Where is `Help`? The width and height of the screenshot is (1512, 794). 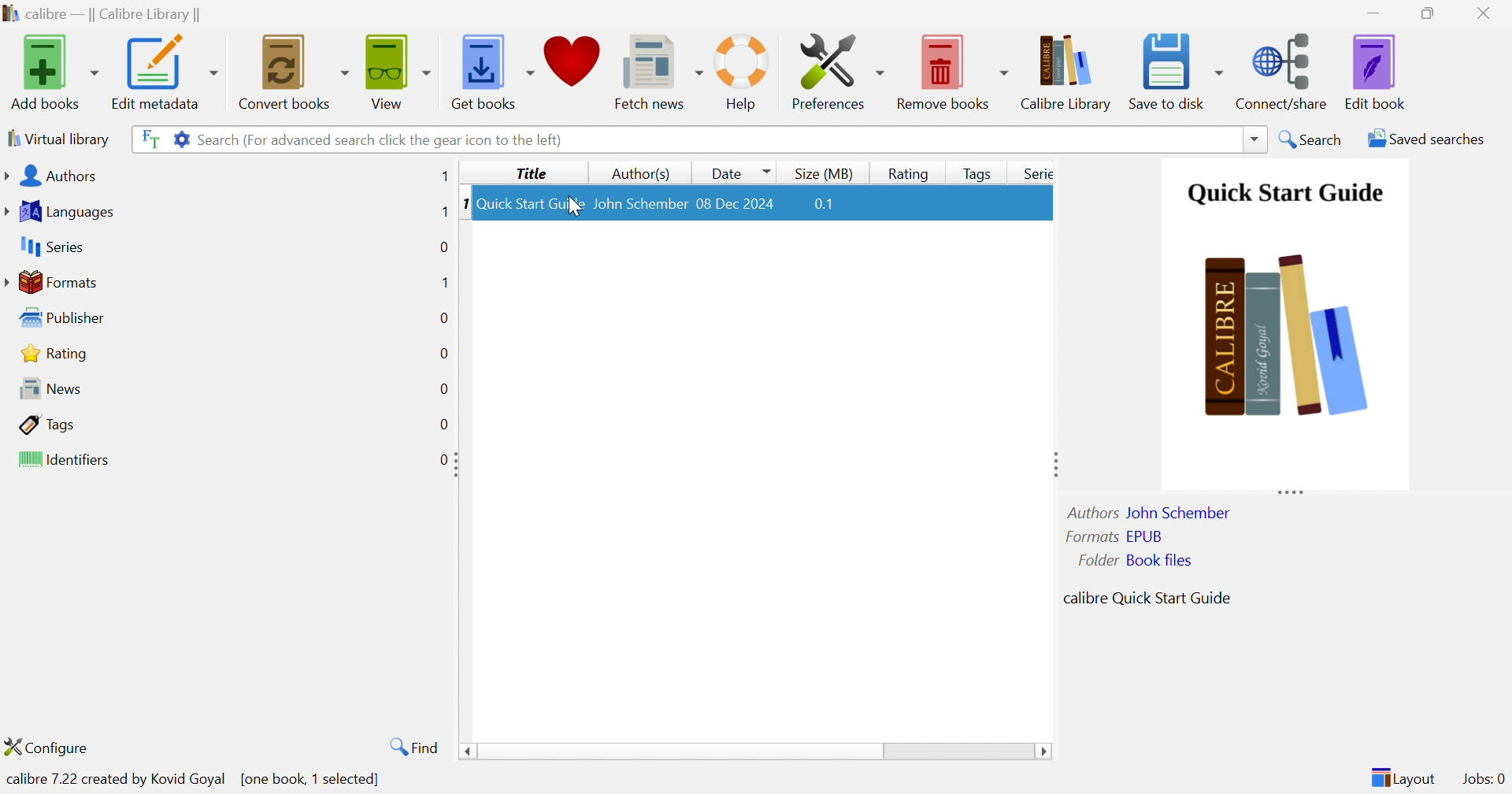 Help is located at coordinates (745, 72).